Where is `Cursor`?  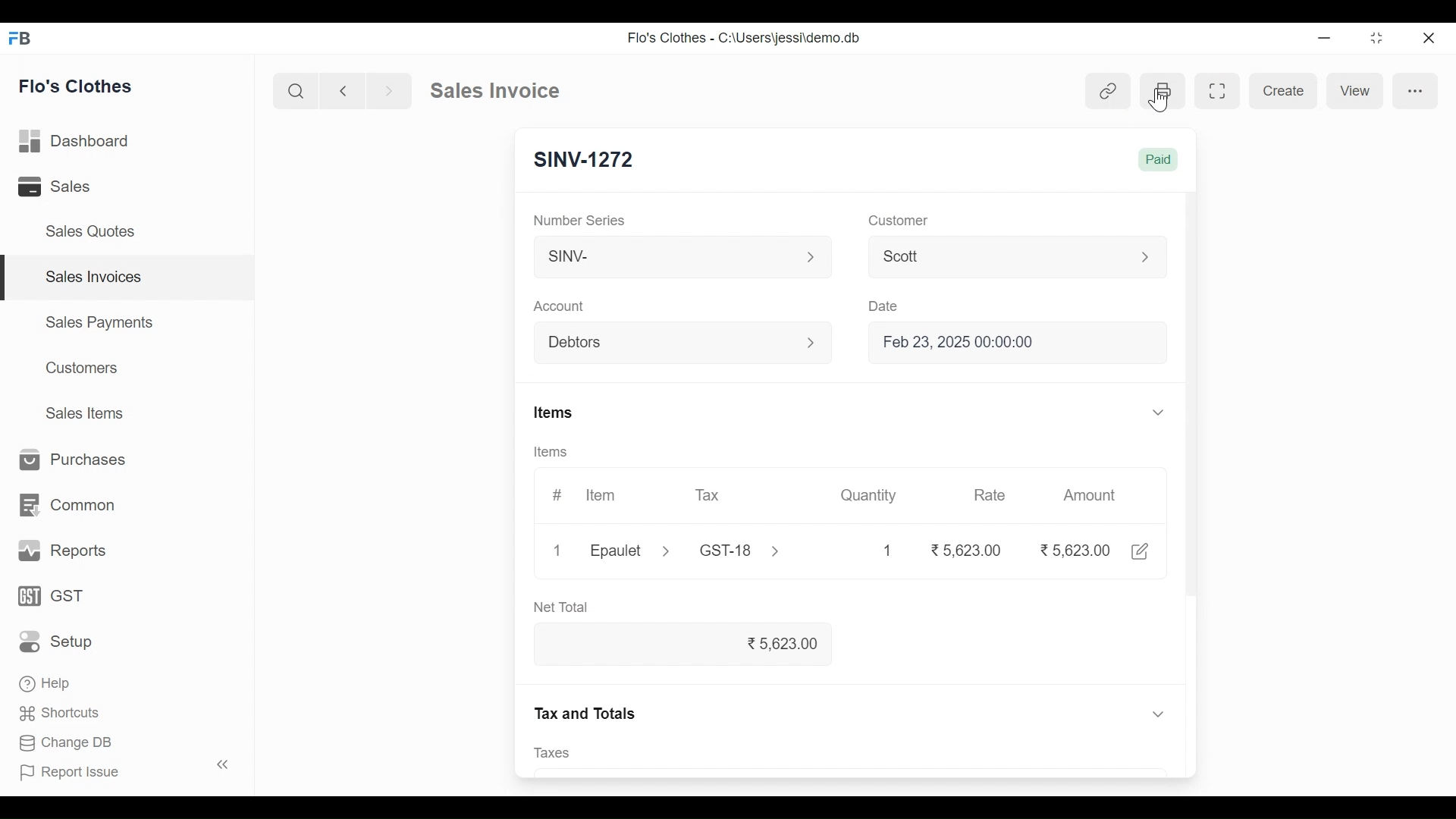
Cursor is located at coordinates (1162, 102).